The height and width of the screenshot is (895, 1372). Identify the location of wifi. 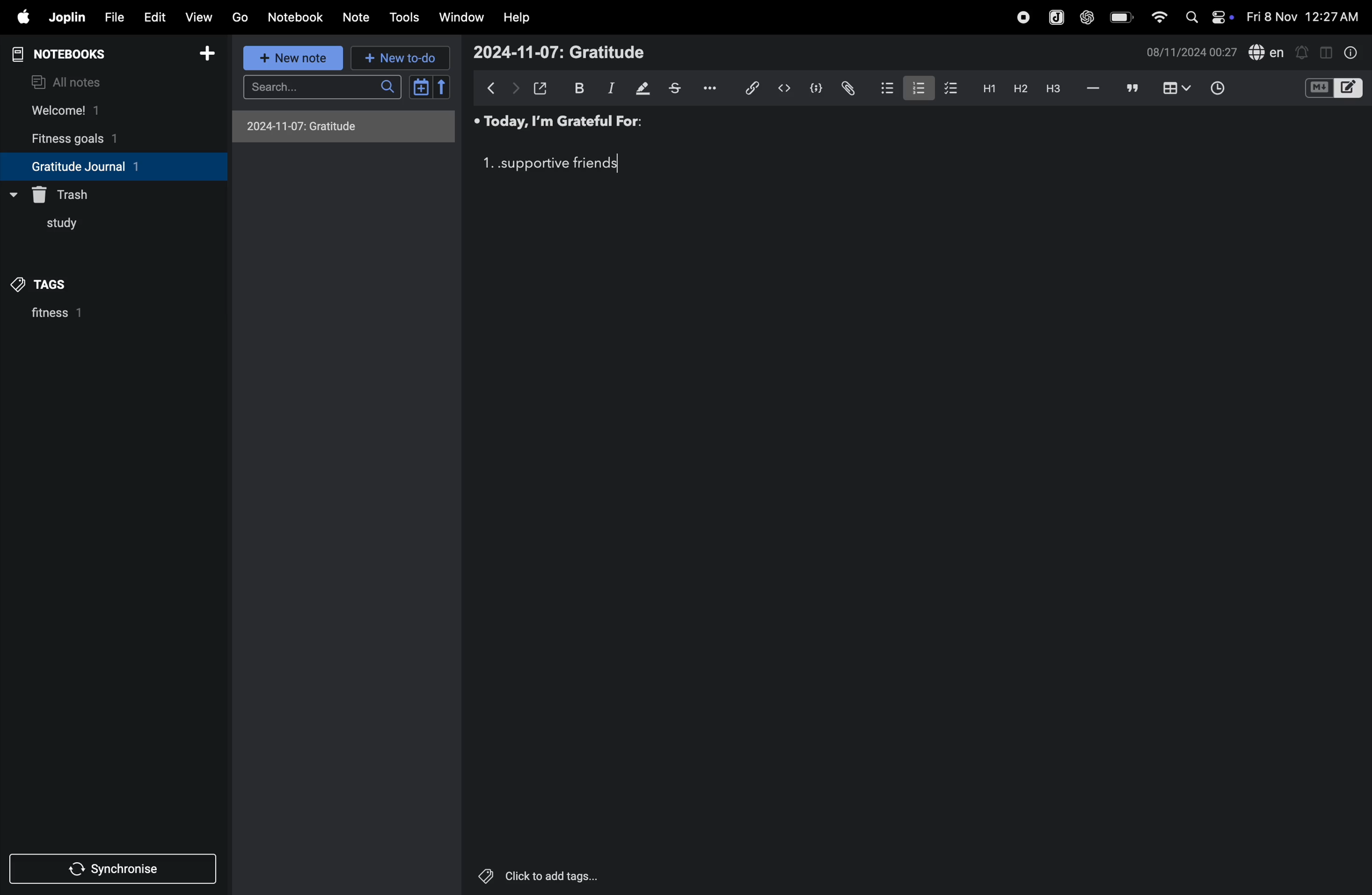
(1158, 18).